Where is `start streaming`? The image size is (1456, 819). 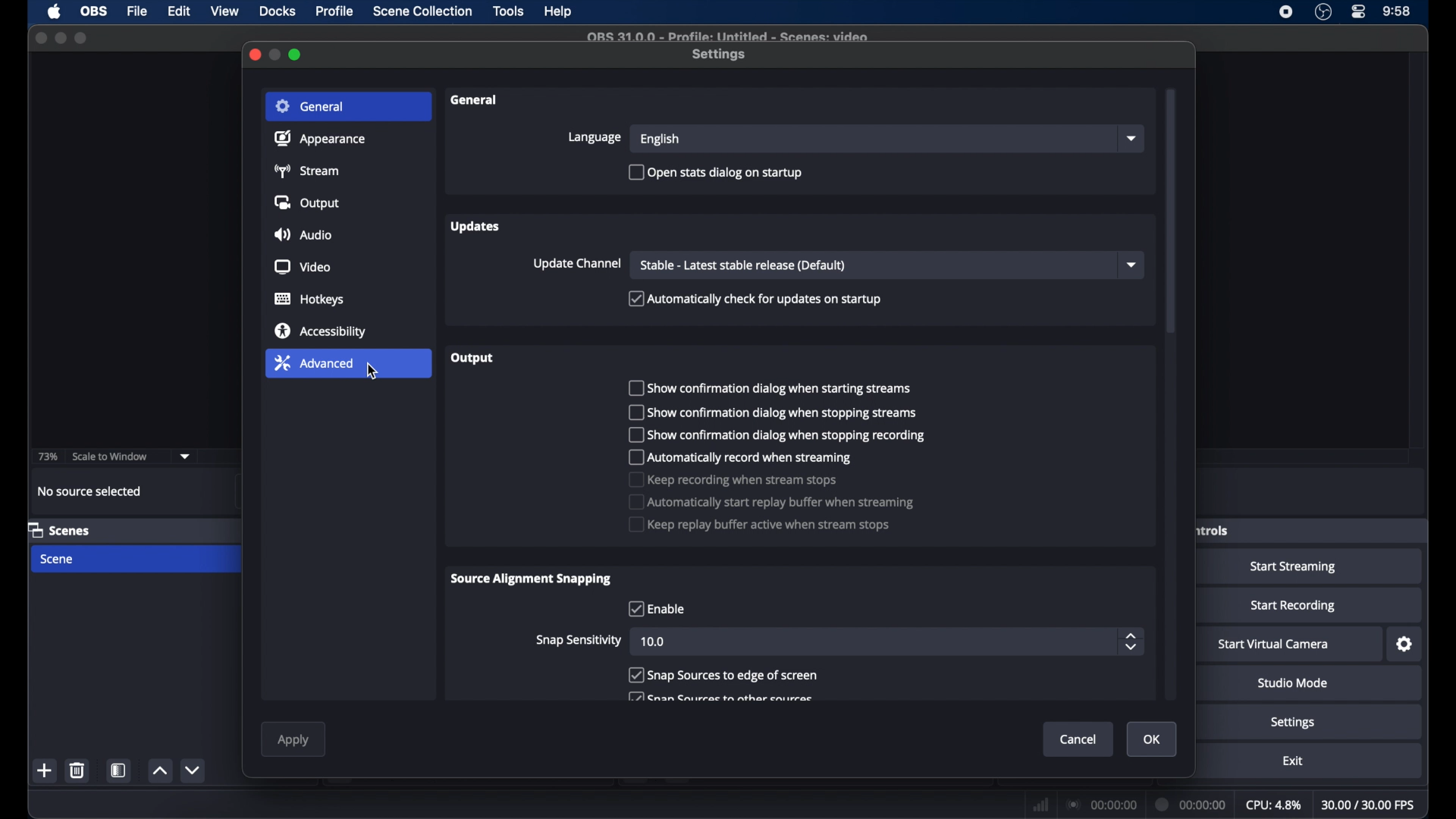
start streaming is located at coordinates (1294, 566).